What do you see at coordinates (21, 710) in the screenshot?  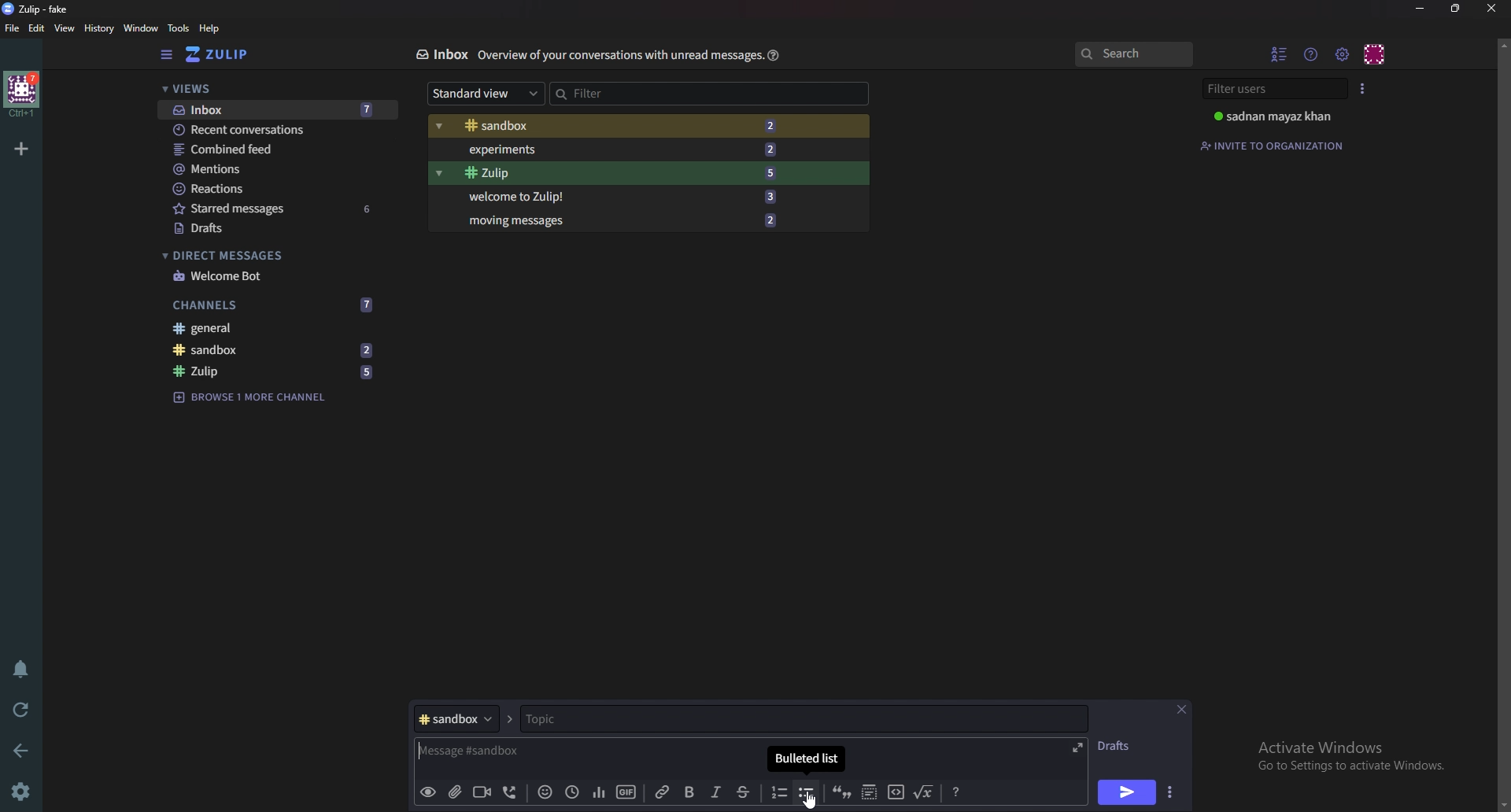 I see `Reload` at bounding box center [21, 710].